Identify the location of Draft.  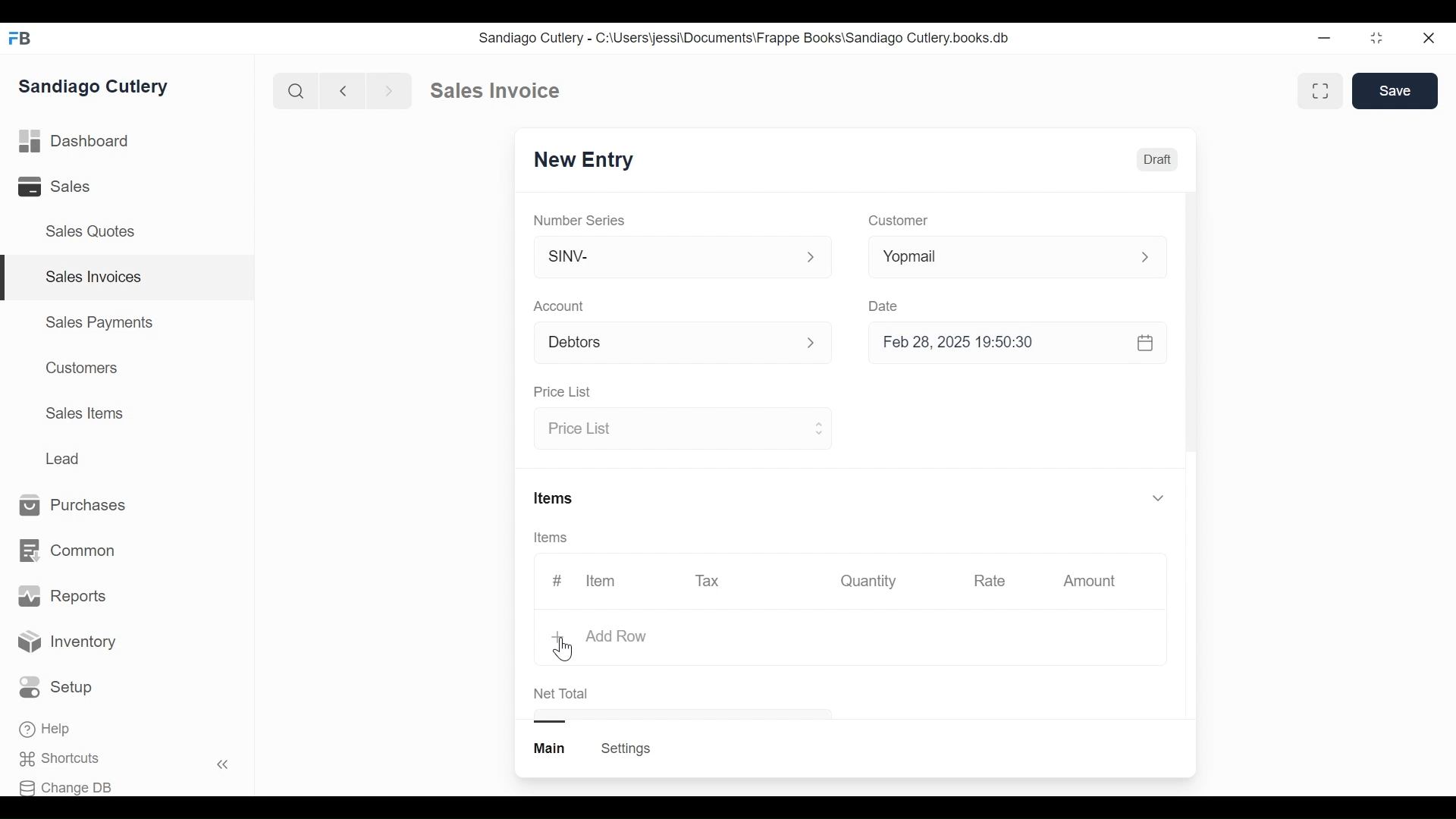
(1156, 159).